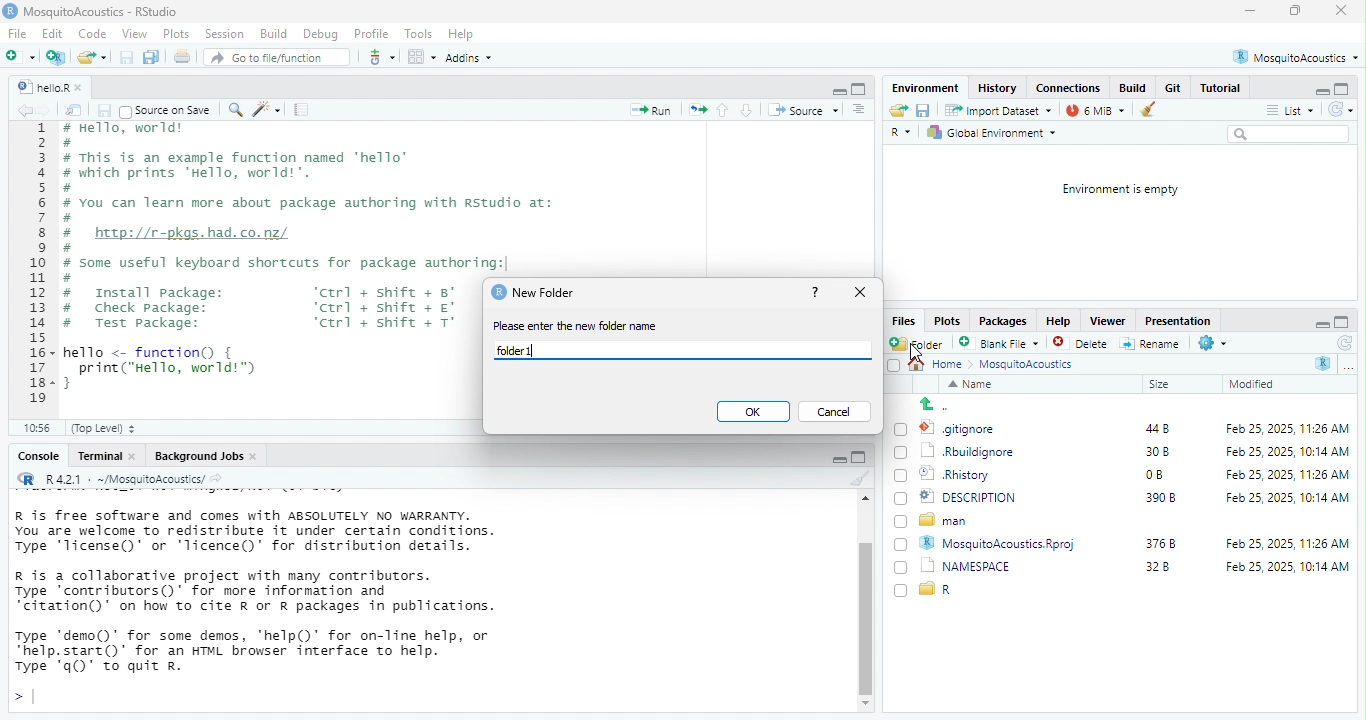  Describe the element at coordinates (51, 111) in the screenshot. I see `go forward to the next source location` at that location.